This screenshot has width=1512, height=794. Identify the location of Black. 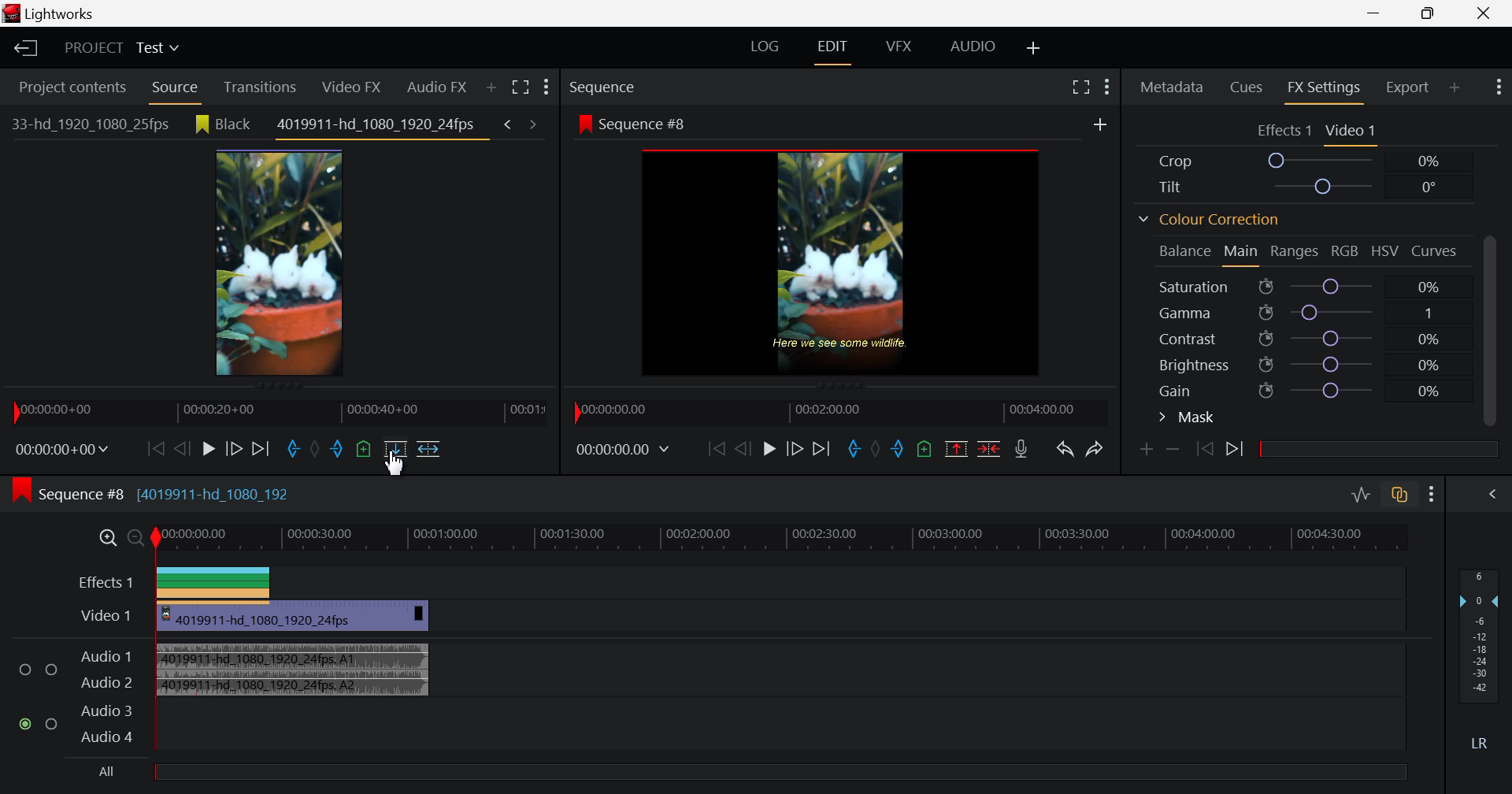
(221, 124).